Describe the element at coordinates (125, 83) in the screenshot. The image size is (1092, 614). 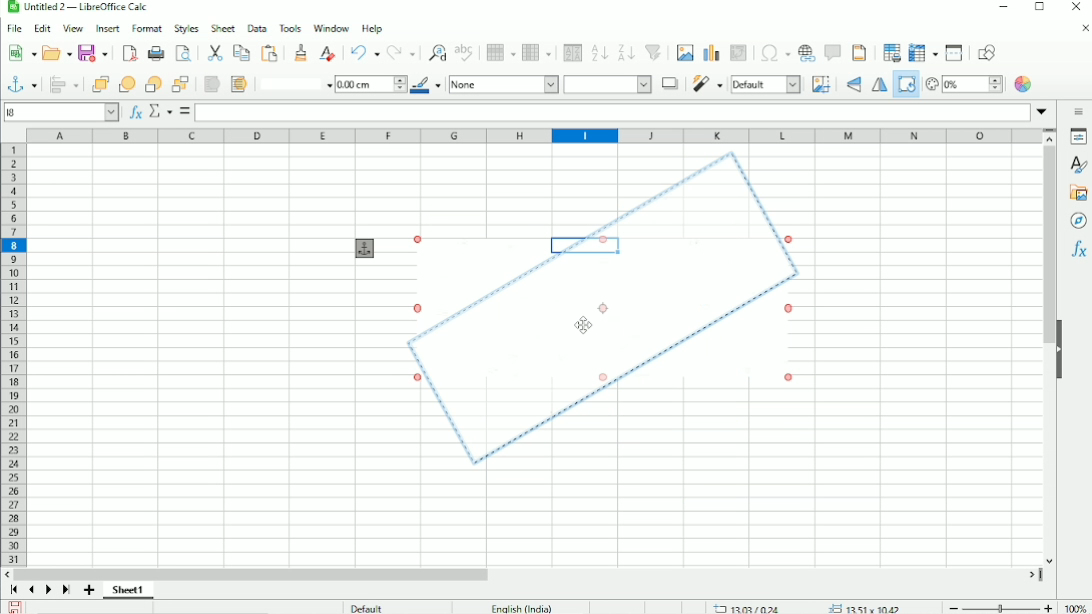
I see `Forward one` at that location.